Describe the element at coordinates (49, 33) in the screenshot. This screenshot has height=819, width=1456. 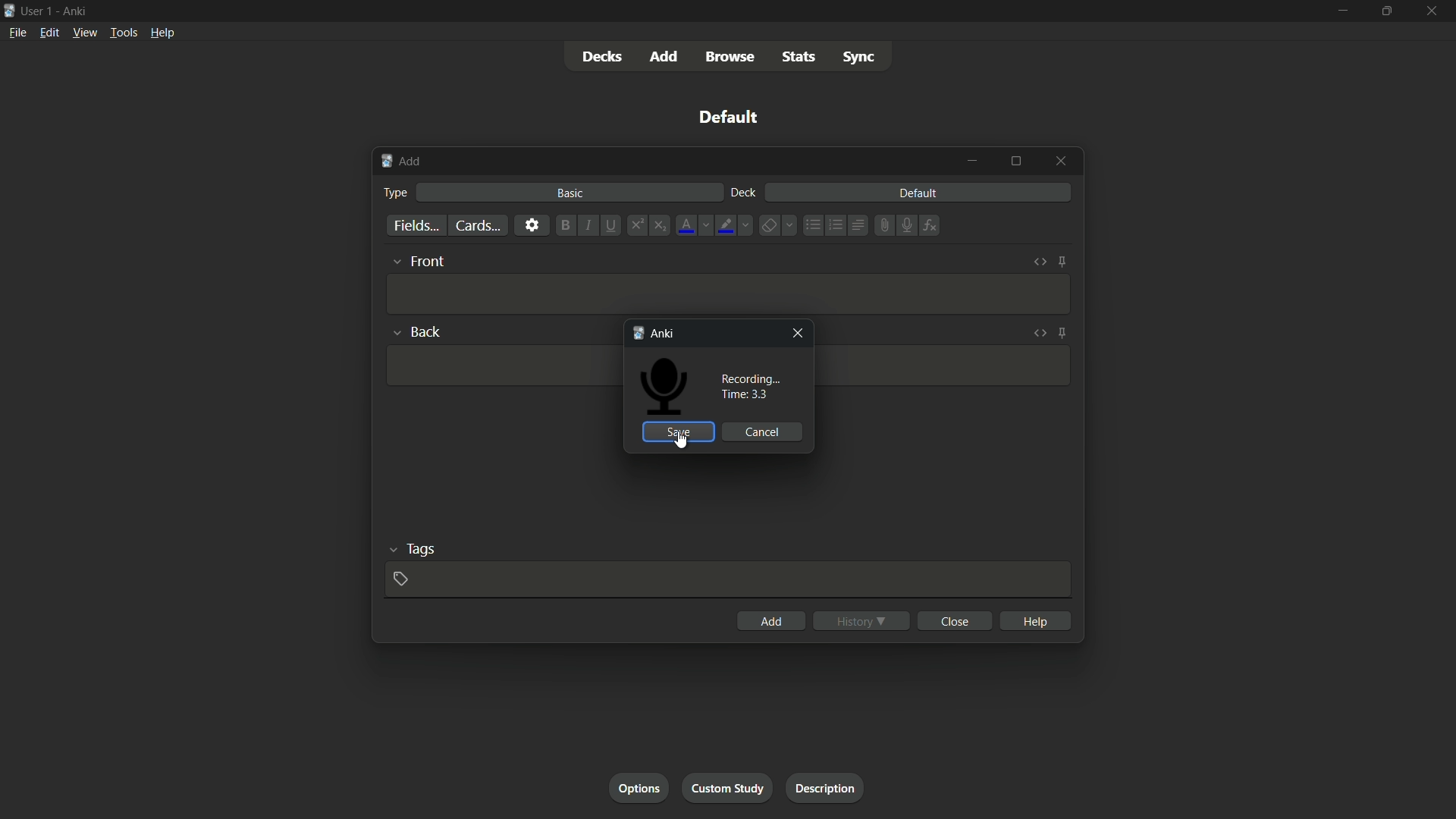
I see `edit menu` at that location.